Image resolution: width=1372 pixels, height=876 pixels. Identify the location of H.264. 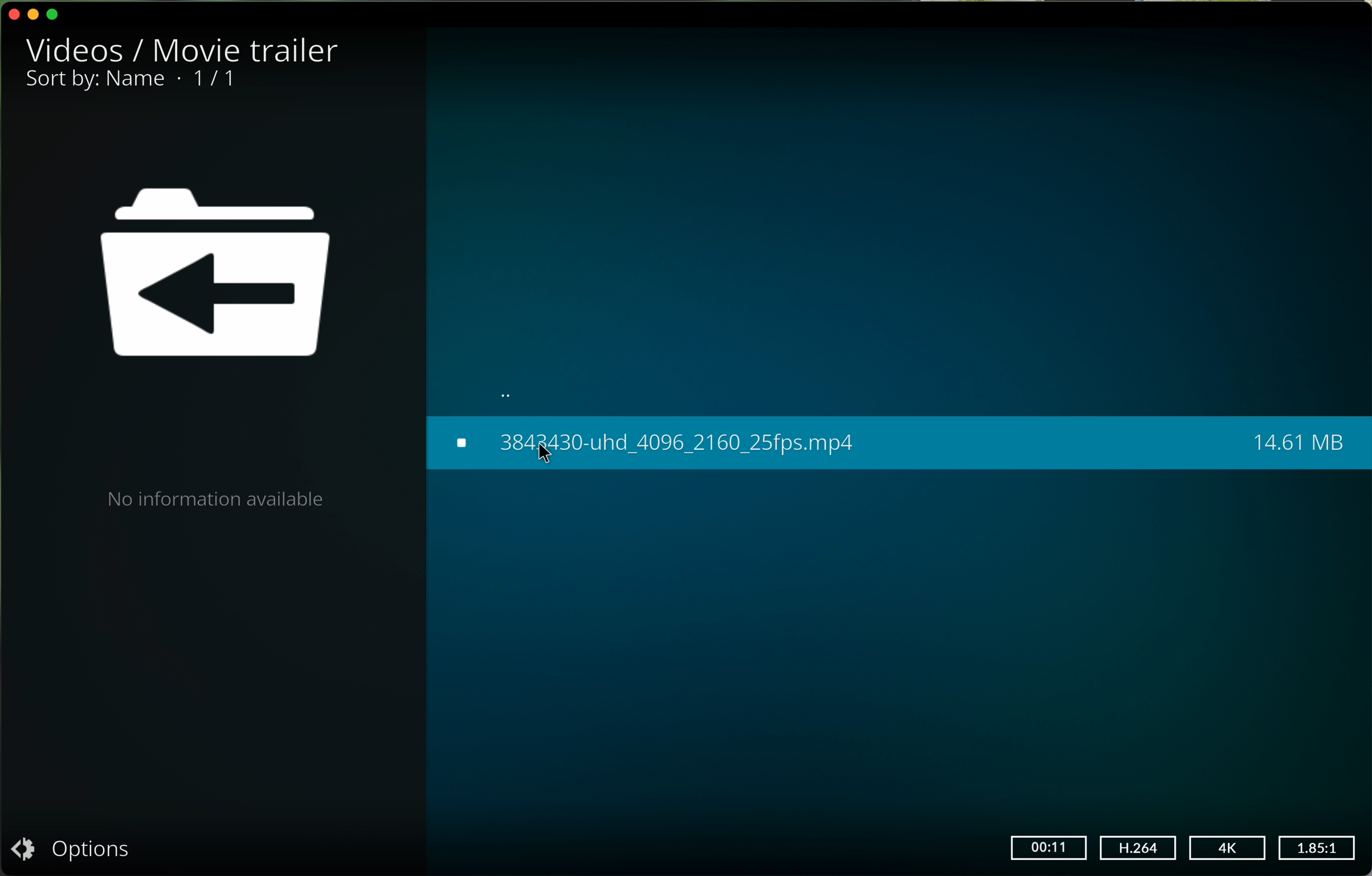
(1140, 848).